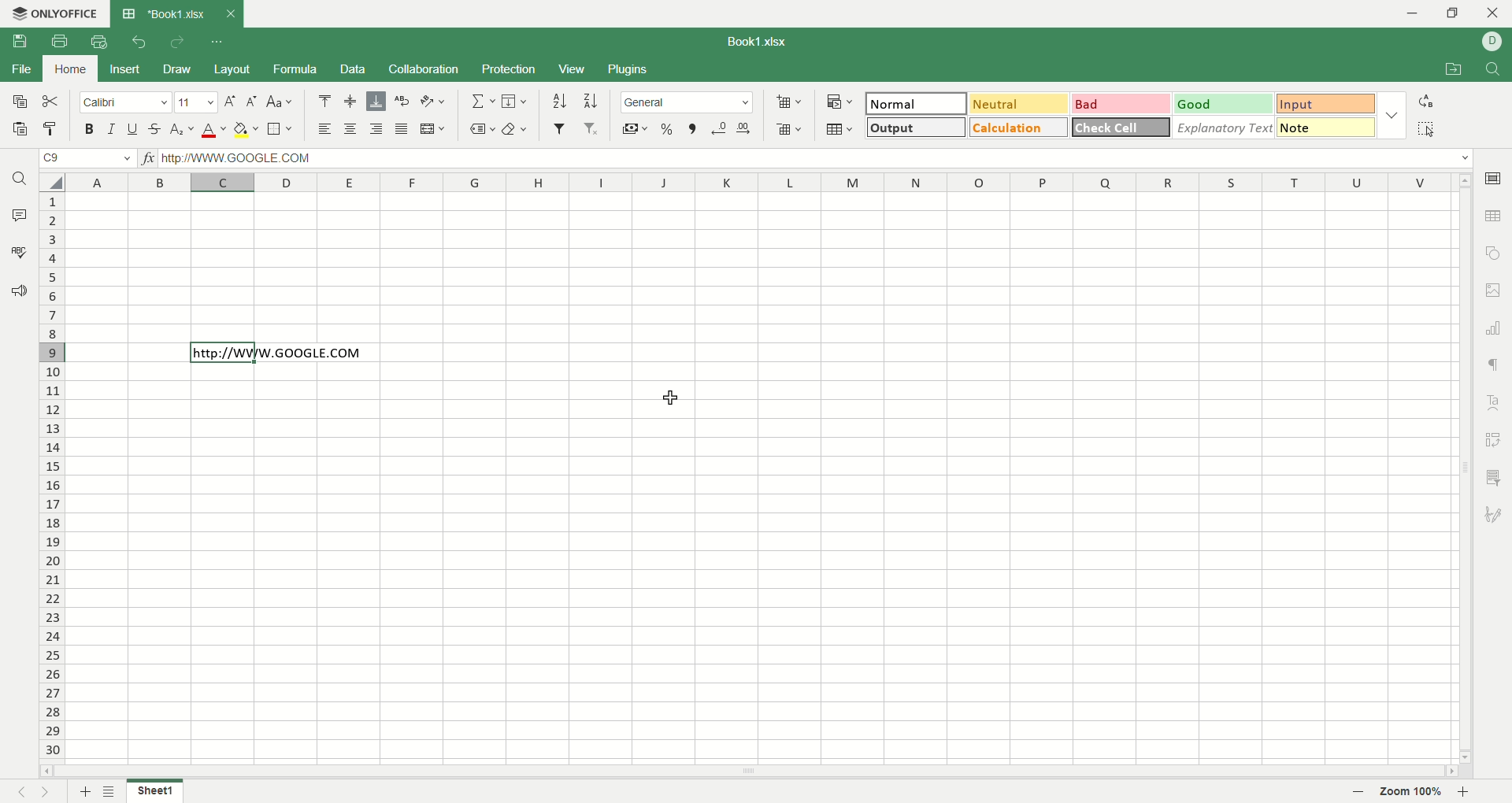  I want to click on input, so click(1324, 105).